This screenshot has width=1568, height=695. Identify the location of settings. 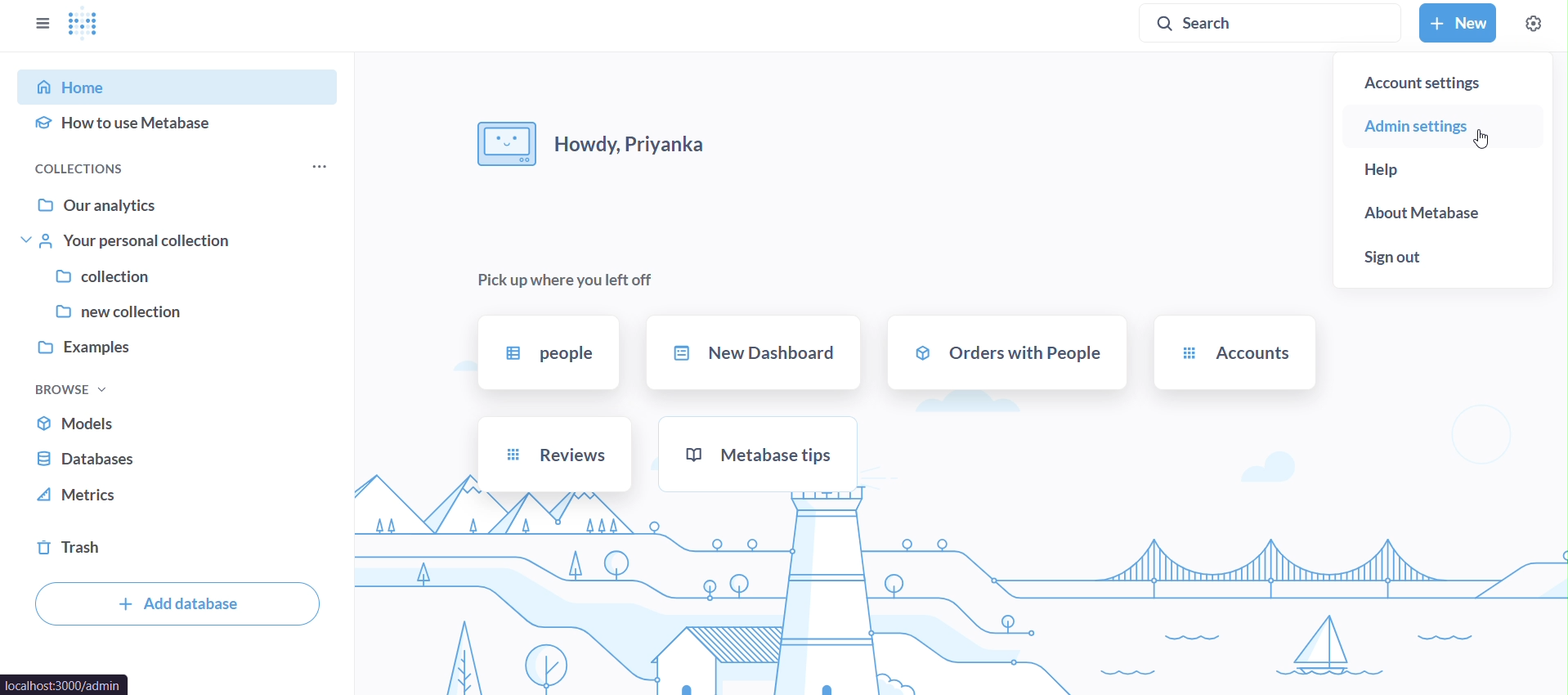
(1532, 23).